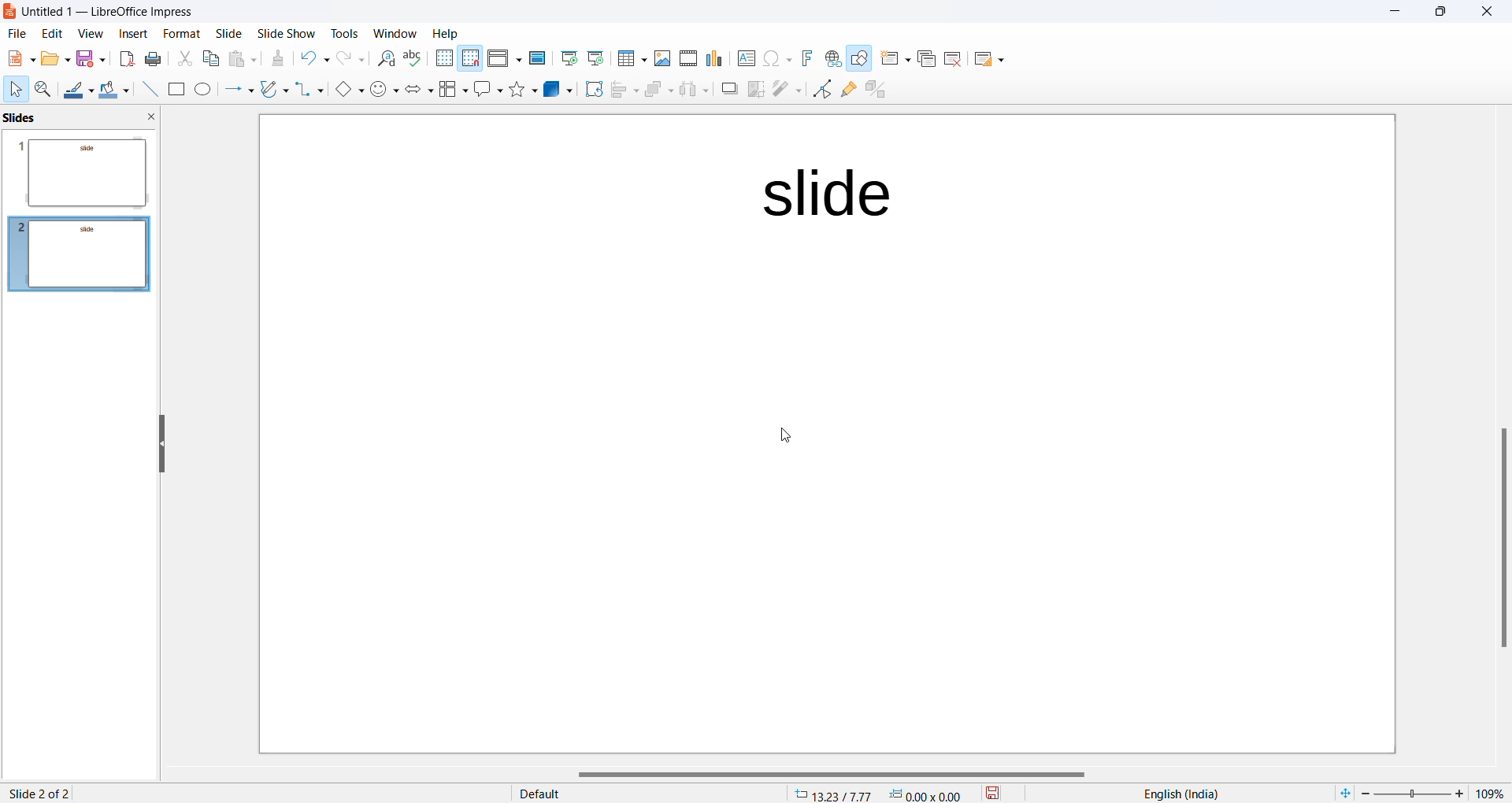 This screenshot has height=803, width=1512. What do you see at coordinates (83, 250) in the screenshot?
I see `slidepreview` at bounding box center [83, 250].